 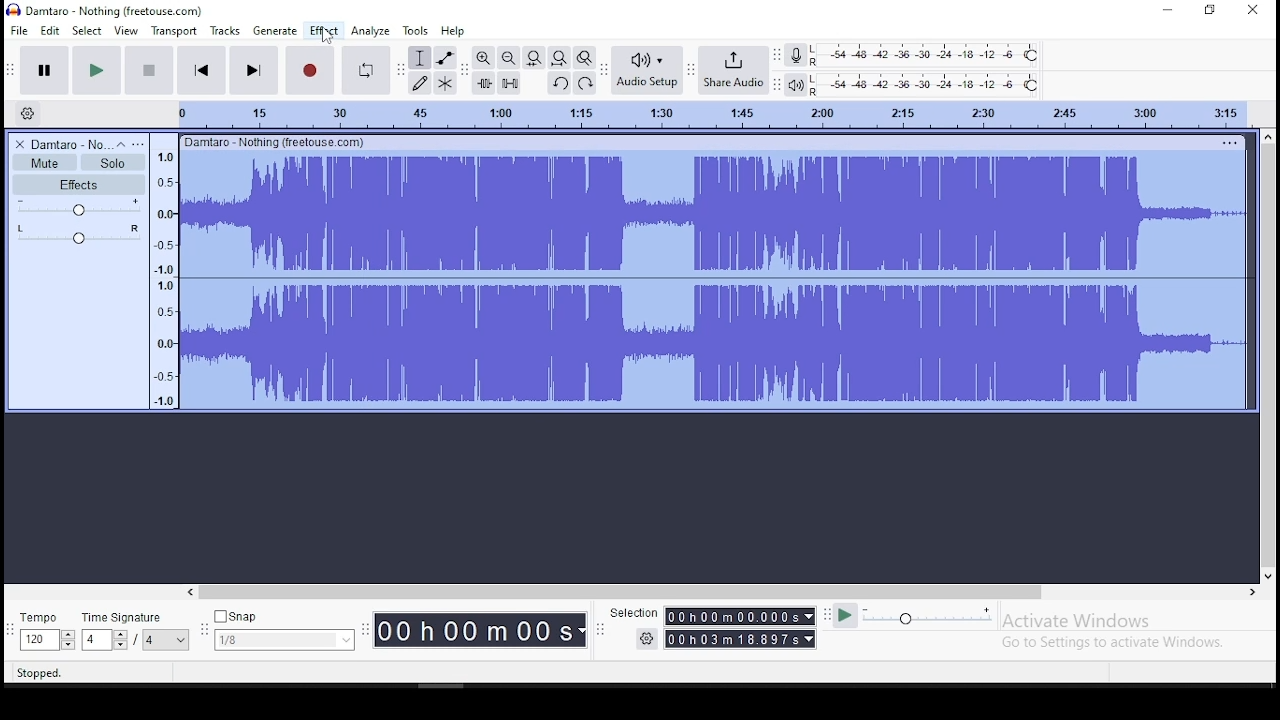 I want to click on play, so click(x=846, y=618).